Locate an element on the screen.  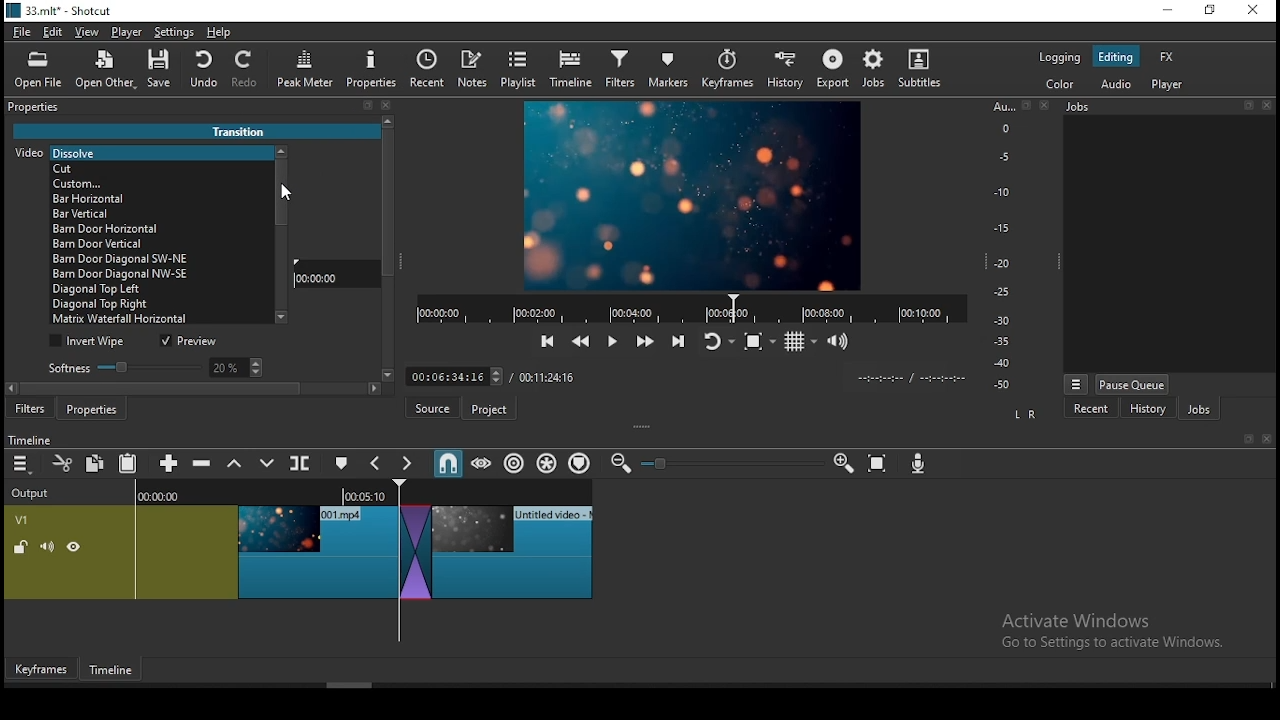
redo is located at coordinates (248, 72).